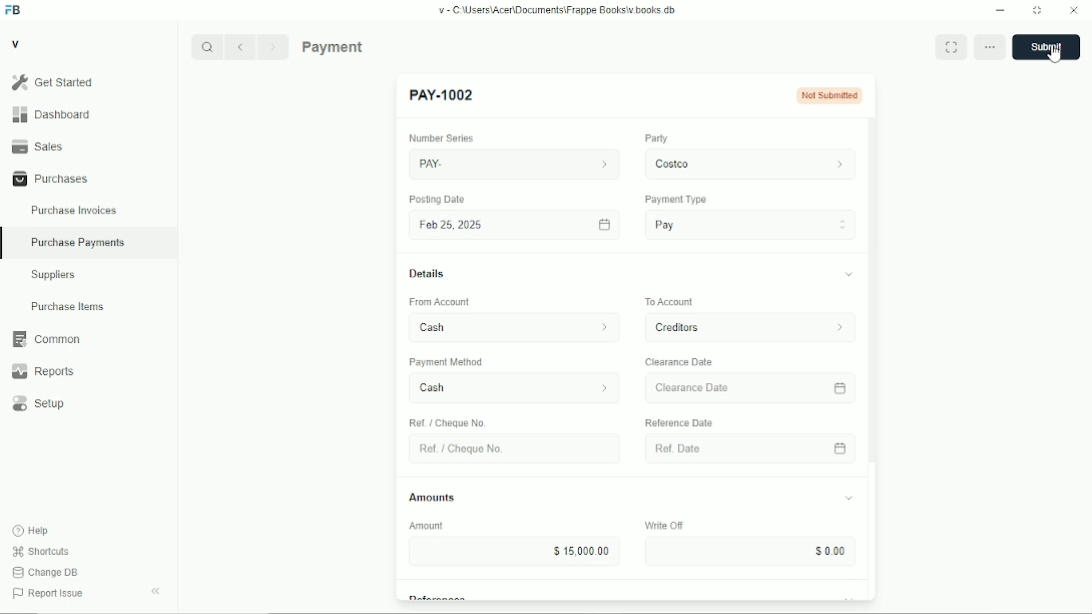  I want to click on costco, so click(751, 162).